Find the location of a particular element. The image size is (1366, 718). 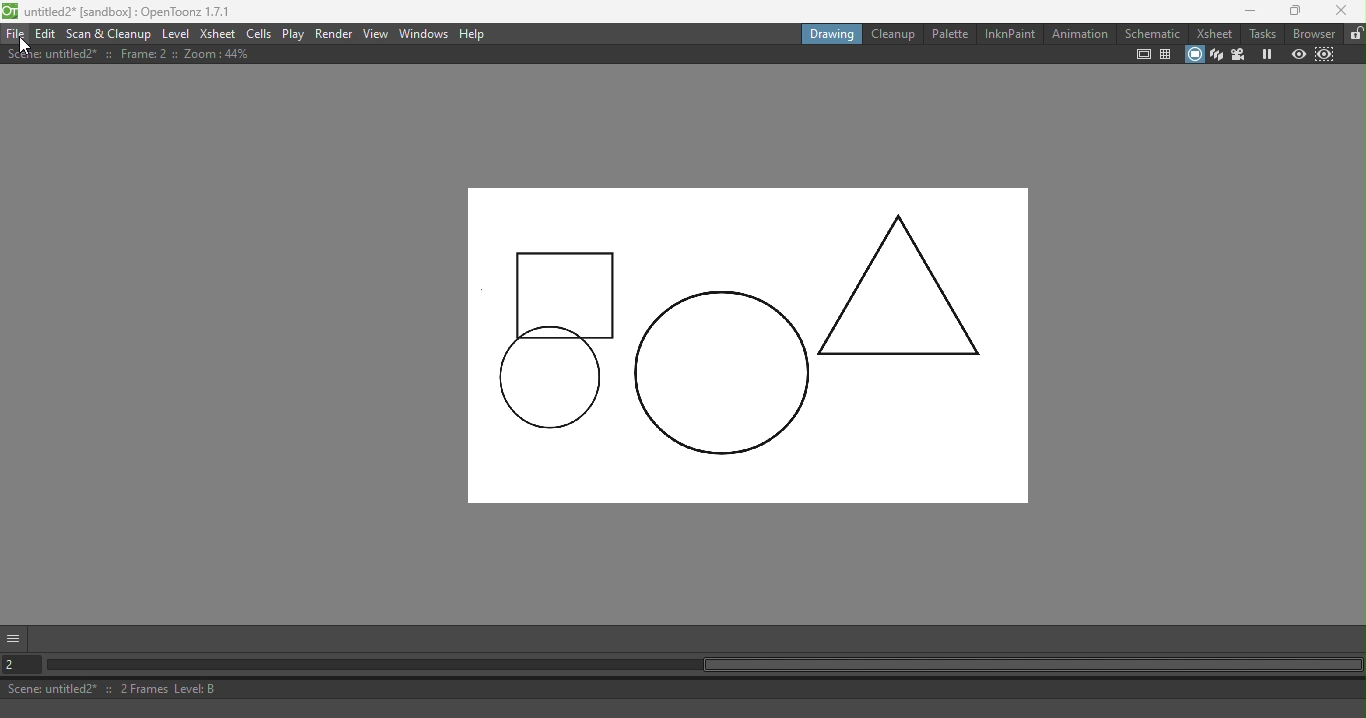

More options is located at coordinates (14, 636).